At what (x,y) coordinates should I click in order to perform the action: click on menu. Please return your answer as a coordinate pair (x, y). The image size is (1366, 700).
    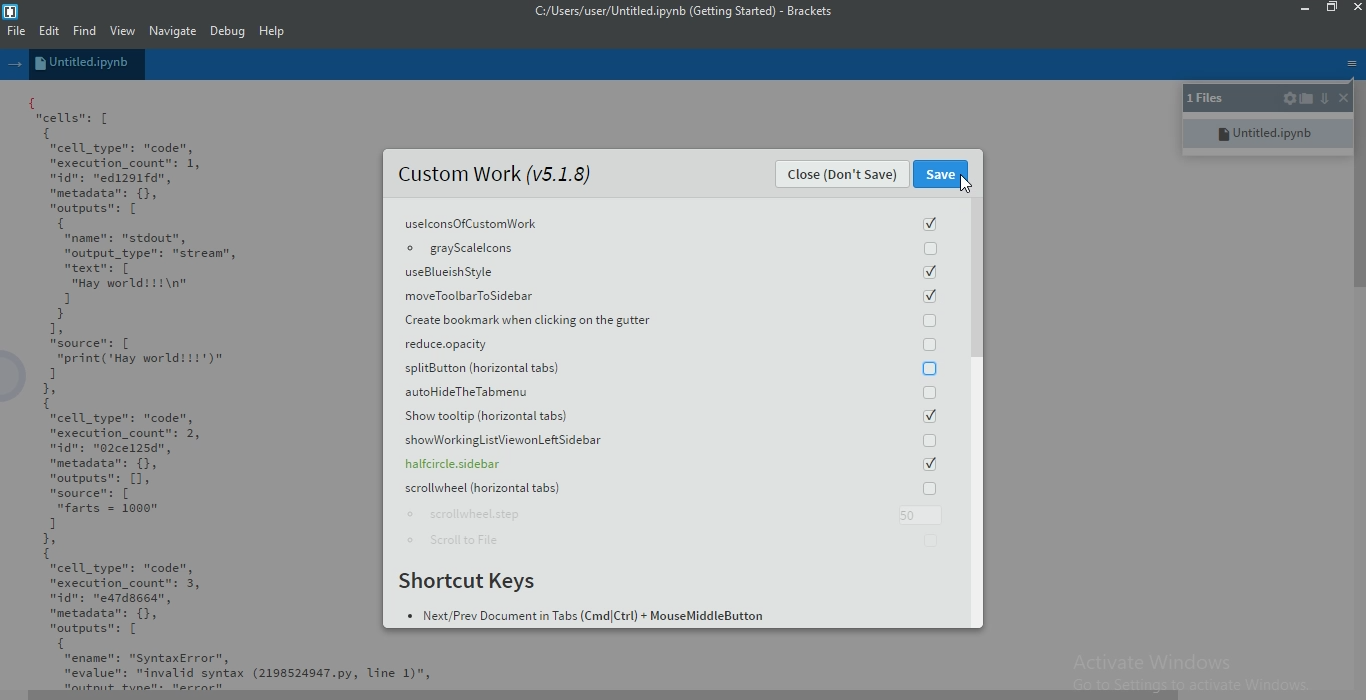
    Looking at the image, I should click on (1349, 62).